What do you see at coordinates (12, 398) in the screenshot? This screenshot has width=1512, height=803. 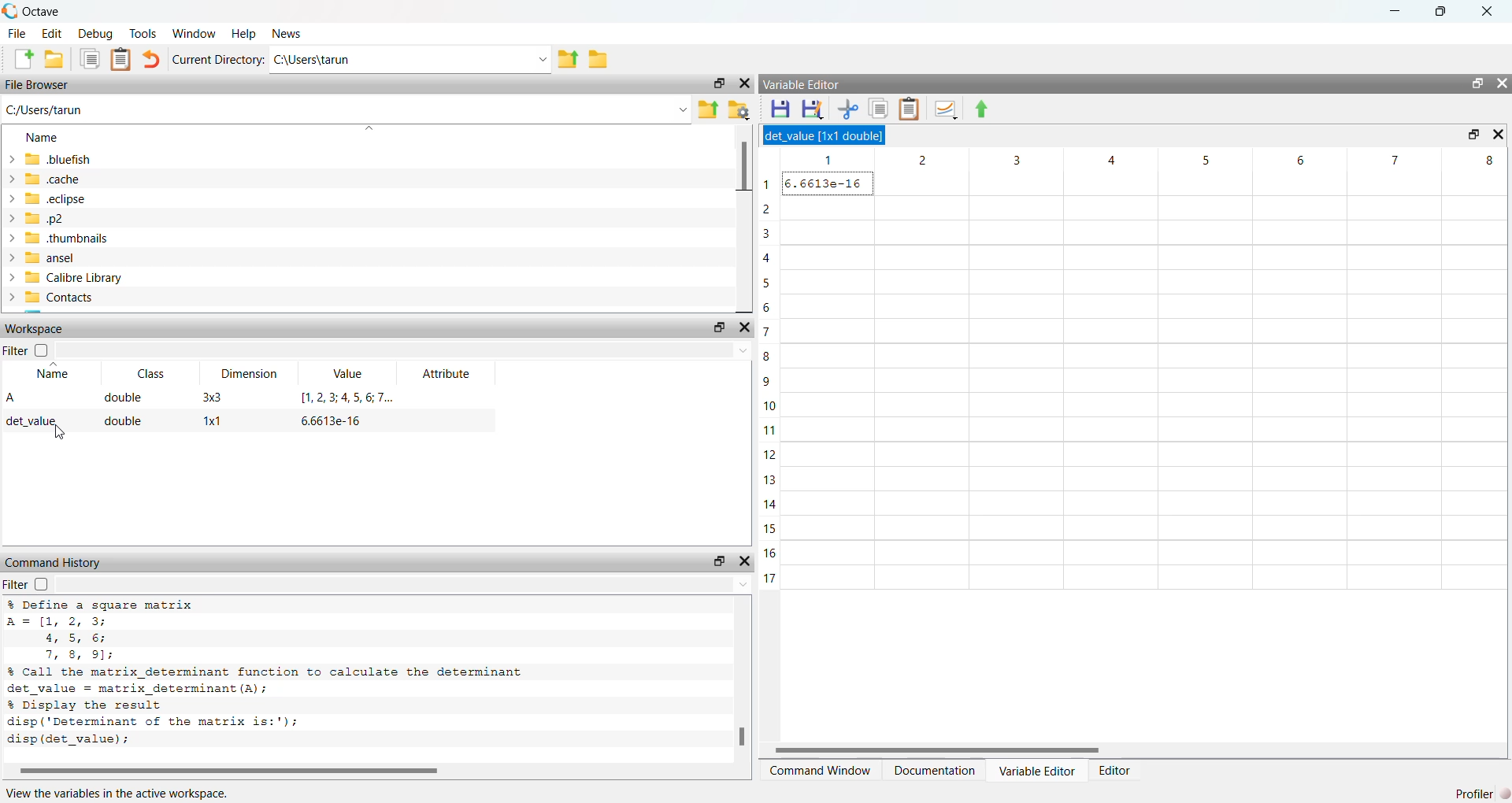 I see `A` at bounding box center [12, 398].